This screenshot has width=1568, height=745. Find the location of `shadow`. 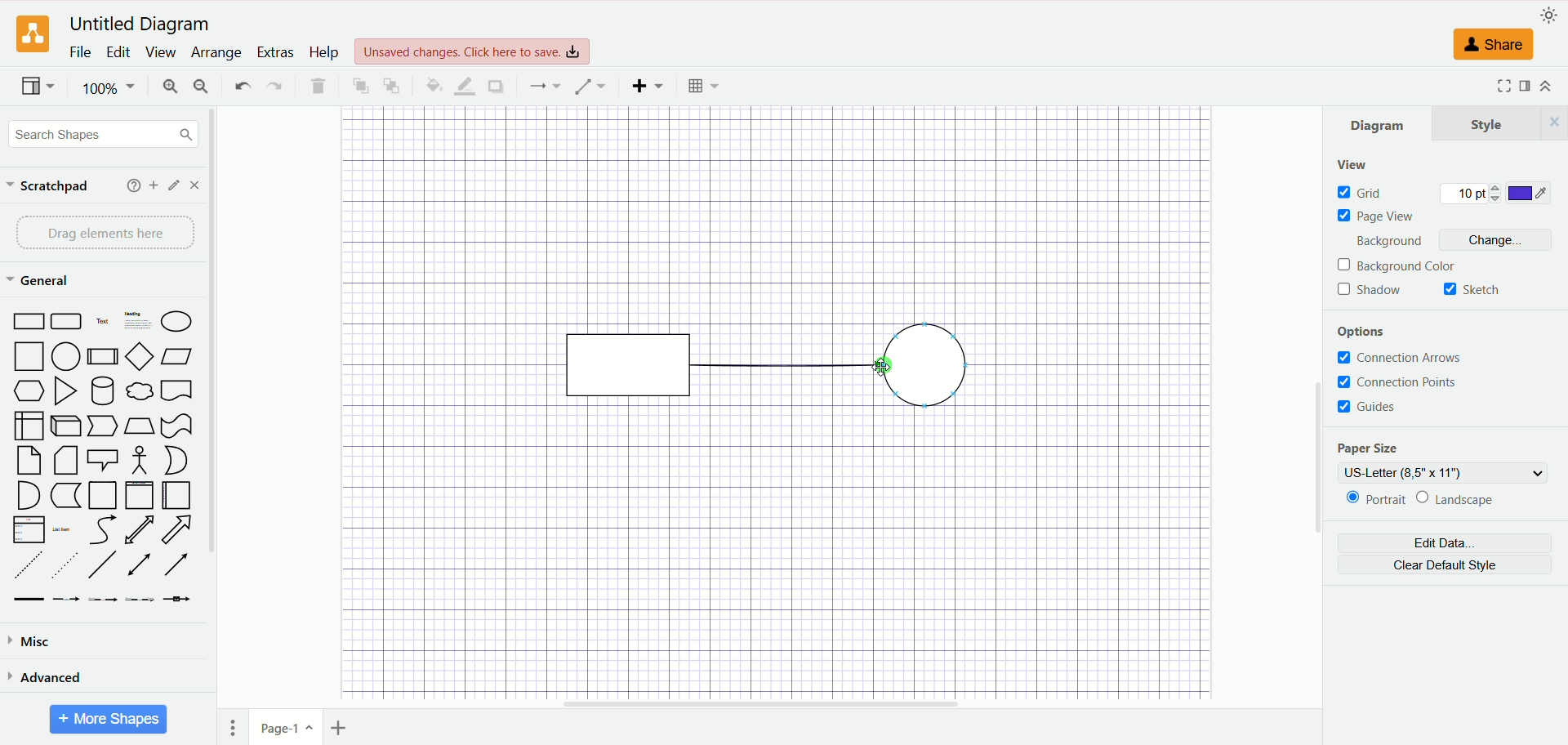

shadow is located at coordinates (496, 87).